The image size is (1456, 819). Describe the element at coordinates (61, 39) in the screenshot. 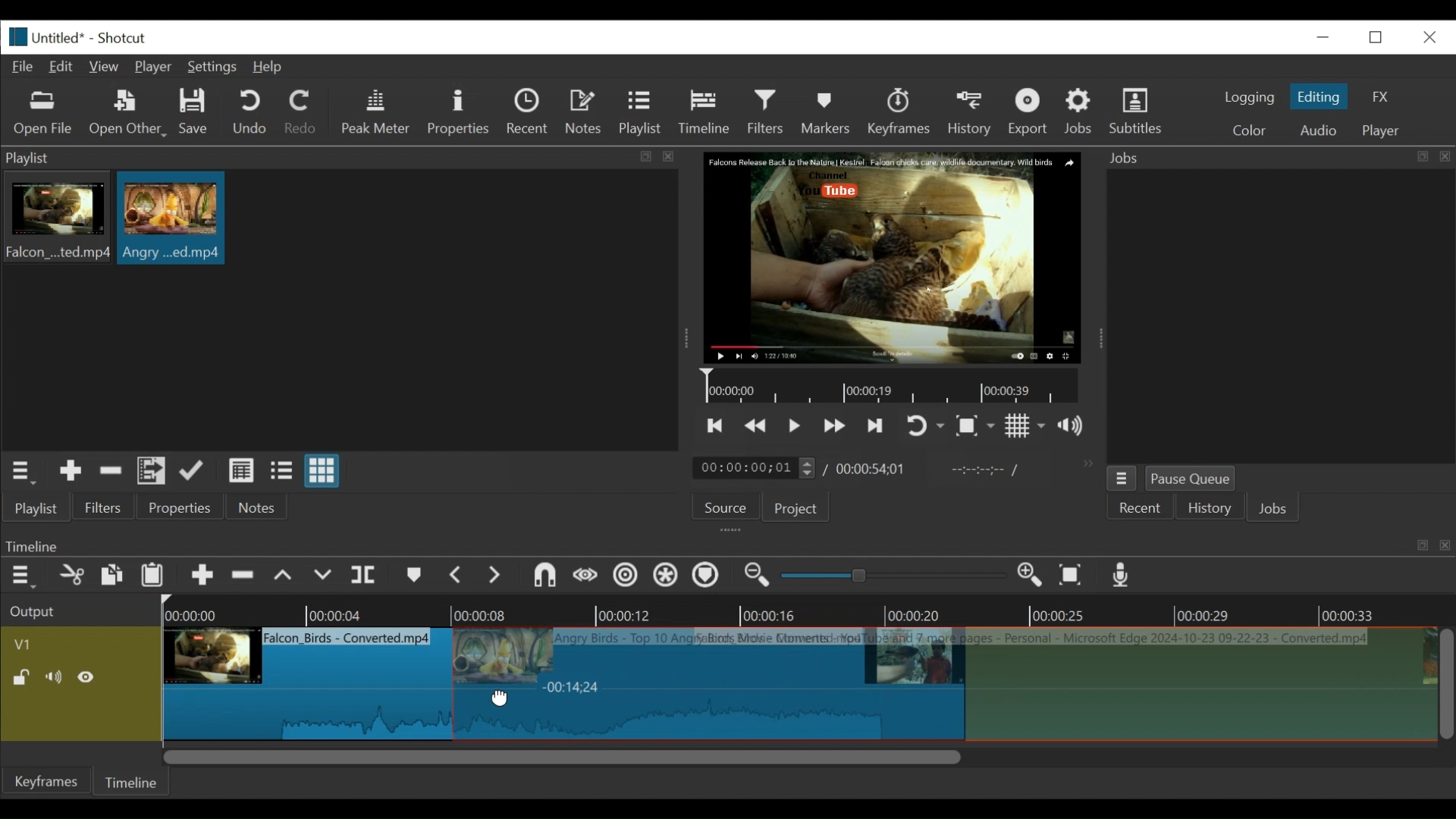

I see `File name` at that location.